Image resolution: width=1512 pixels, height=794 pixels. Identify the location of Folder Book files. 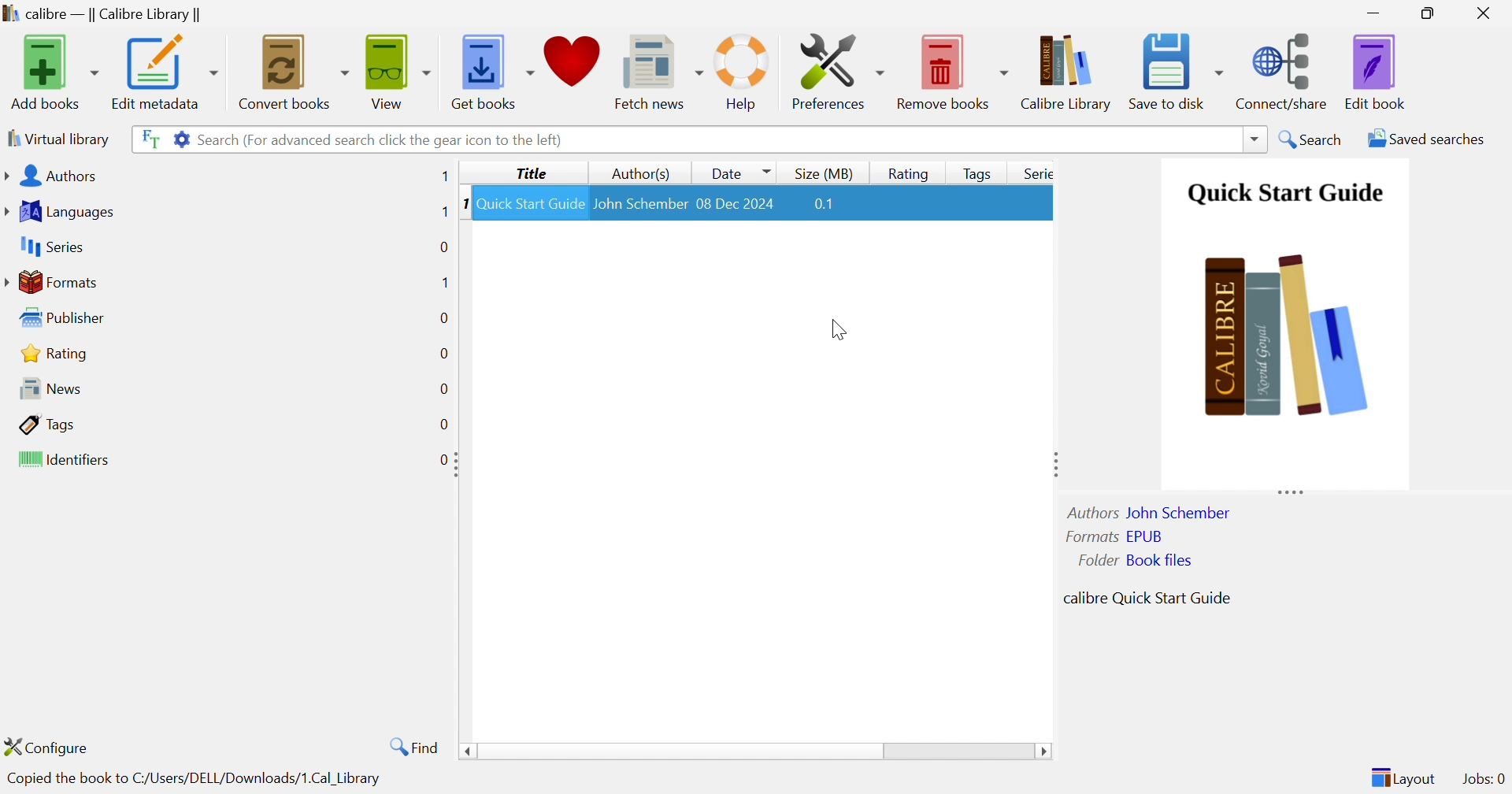
(1130, 560).